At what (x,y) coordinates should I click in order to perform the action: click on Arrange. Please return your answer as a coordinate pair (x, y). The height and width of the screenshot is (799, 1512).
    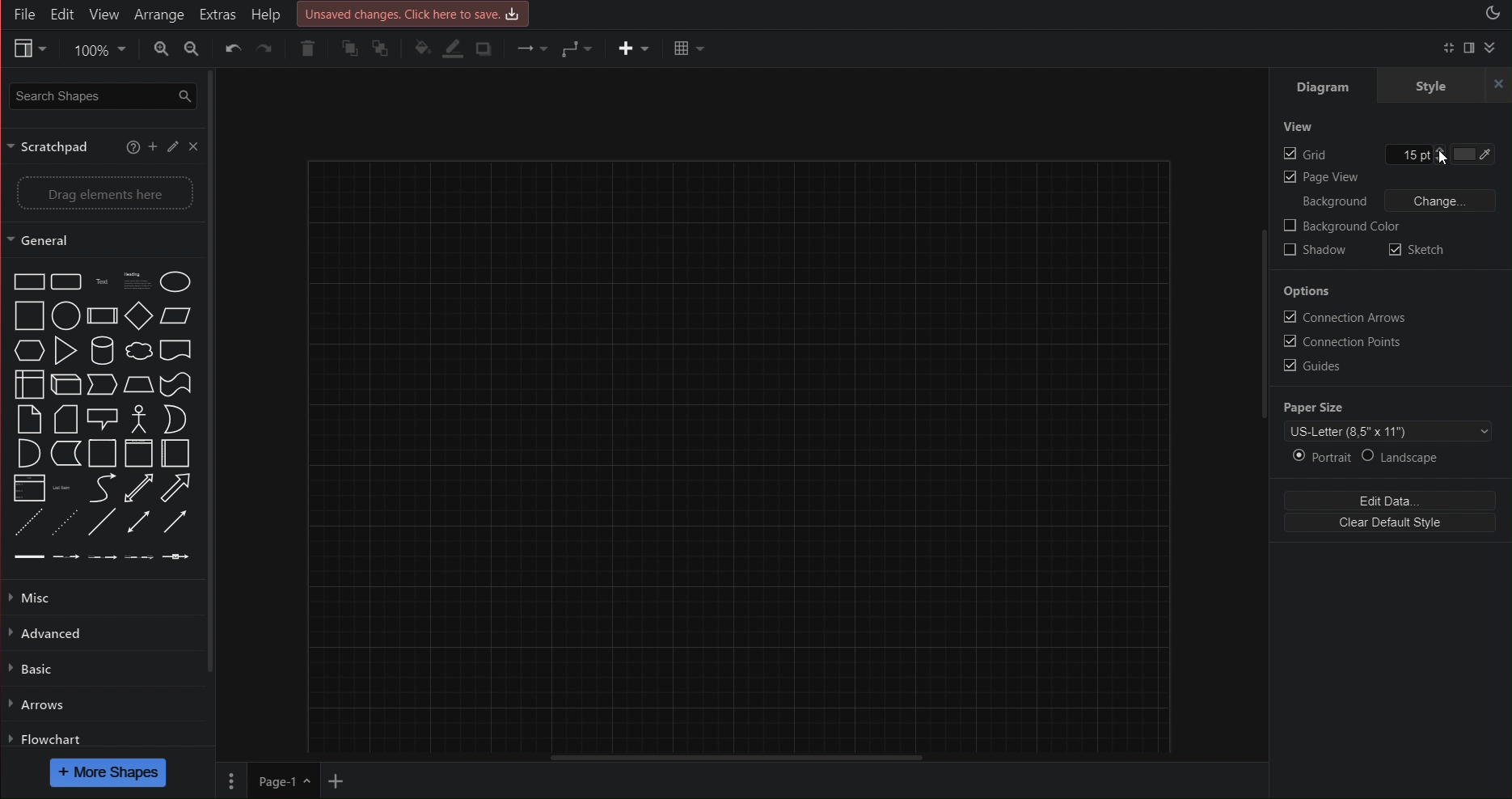
    Looking at the image, I should click on (158, 13).